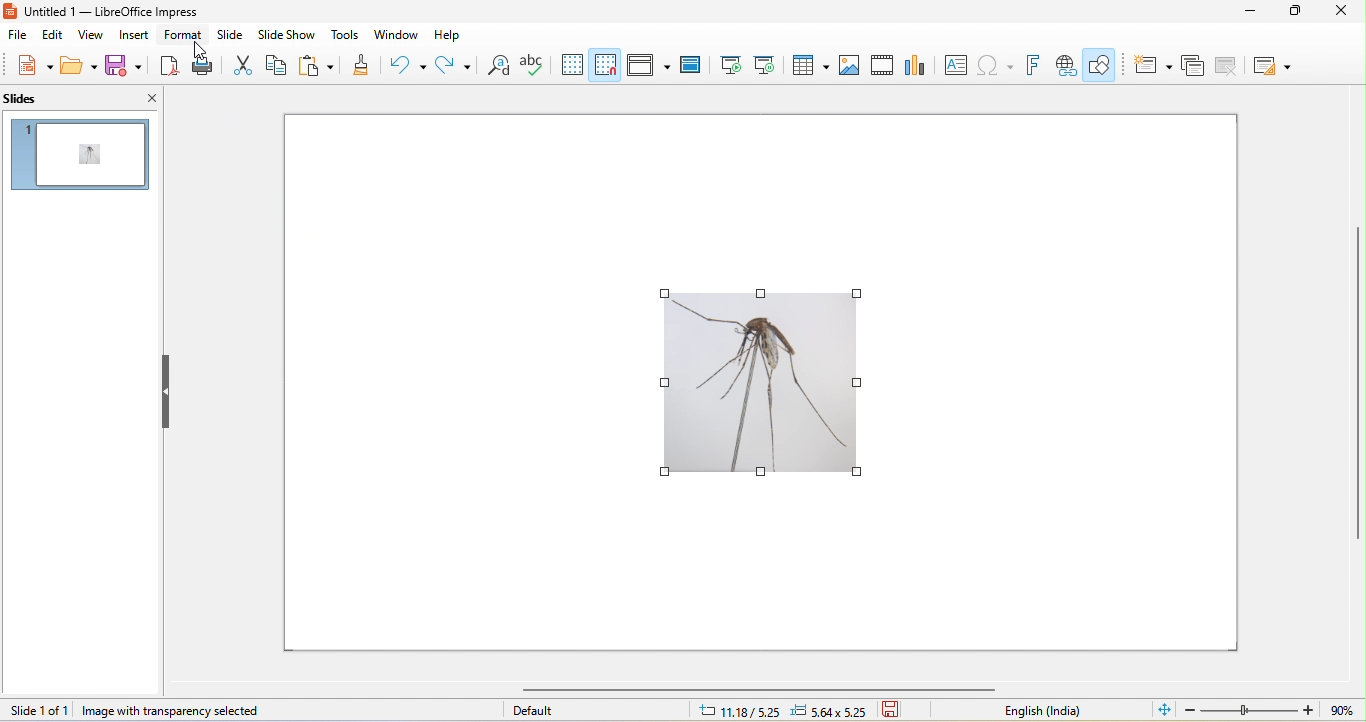 This screenshot has width=1366, height=722. Describe the element at coordinates (1148, 64) in the screenshot. I see `new slide` at that location.